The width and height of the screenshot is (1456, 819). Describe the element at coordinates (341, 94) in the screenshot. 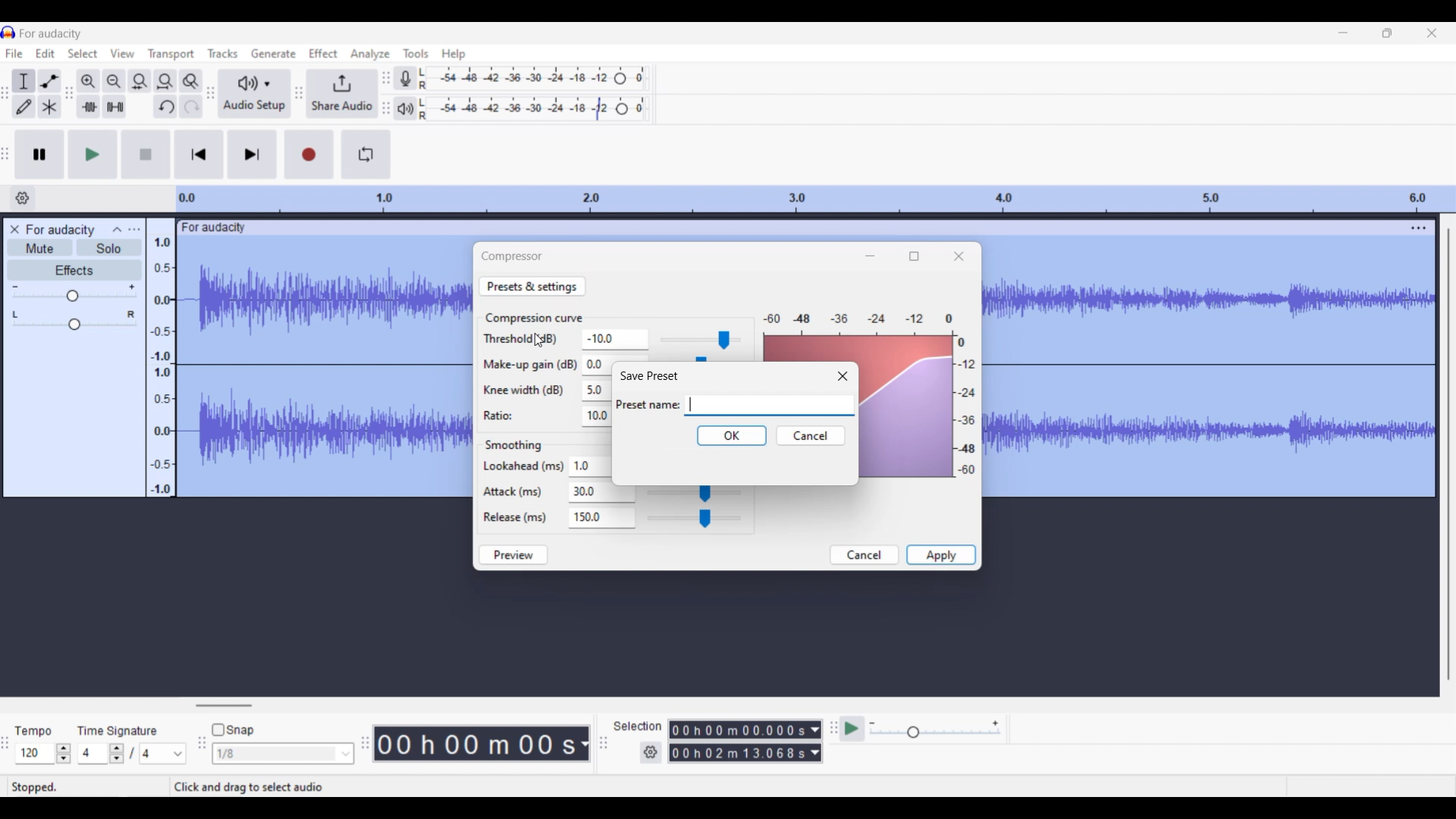

I see `Share audio` at that location.